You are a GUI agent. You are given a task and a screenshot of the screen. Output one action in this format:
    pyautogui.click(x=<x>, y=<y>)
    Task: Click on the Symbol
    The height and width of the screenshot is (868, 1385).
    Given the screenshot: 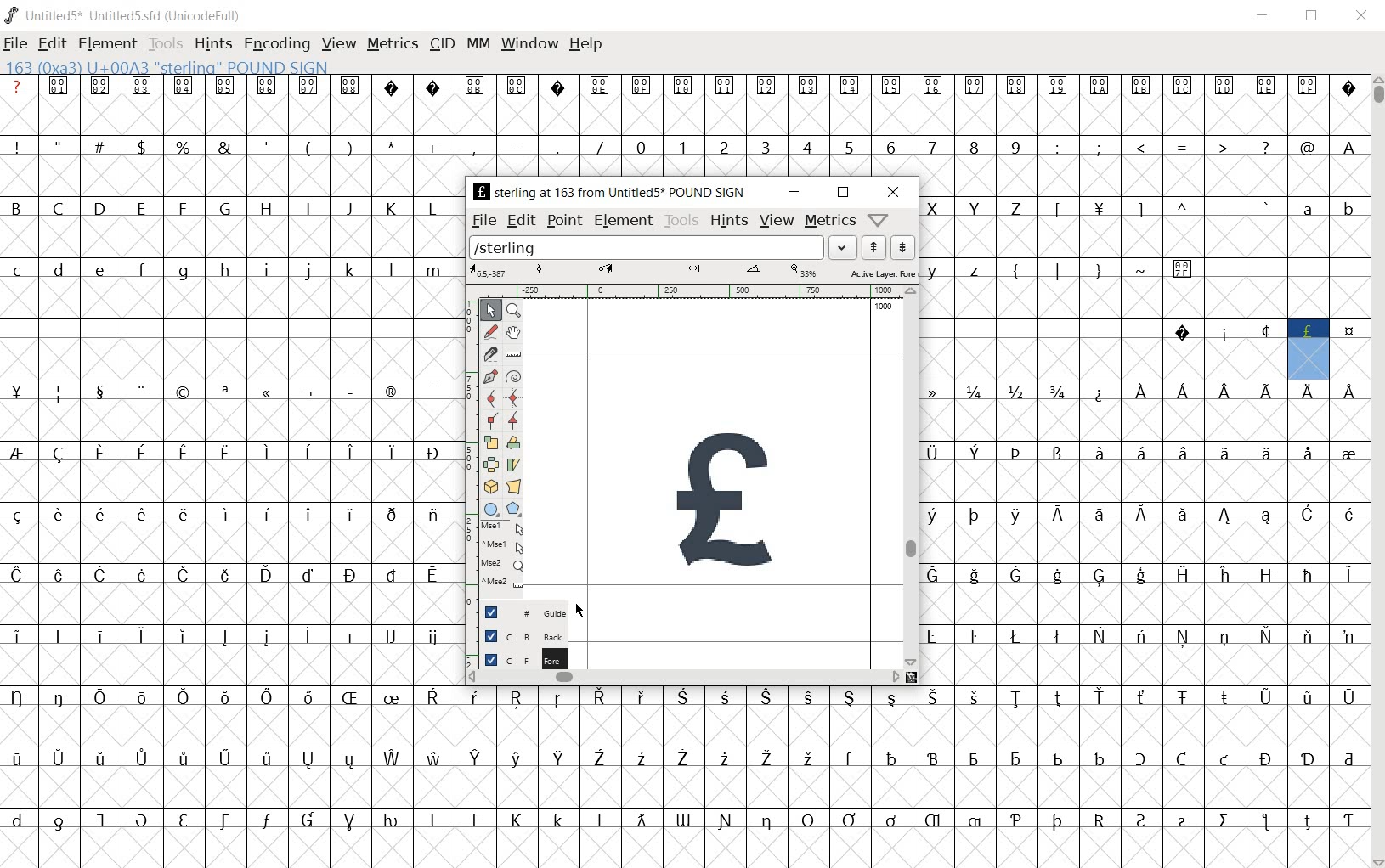 What is the action you would take?
    pyautogui.click(x=308, y=637)
    